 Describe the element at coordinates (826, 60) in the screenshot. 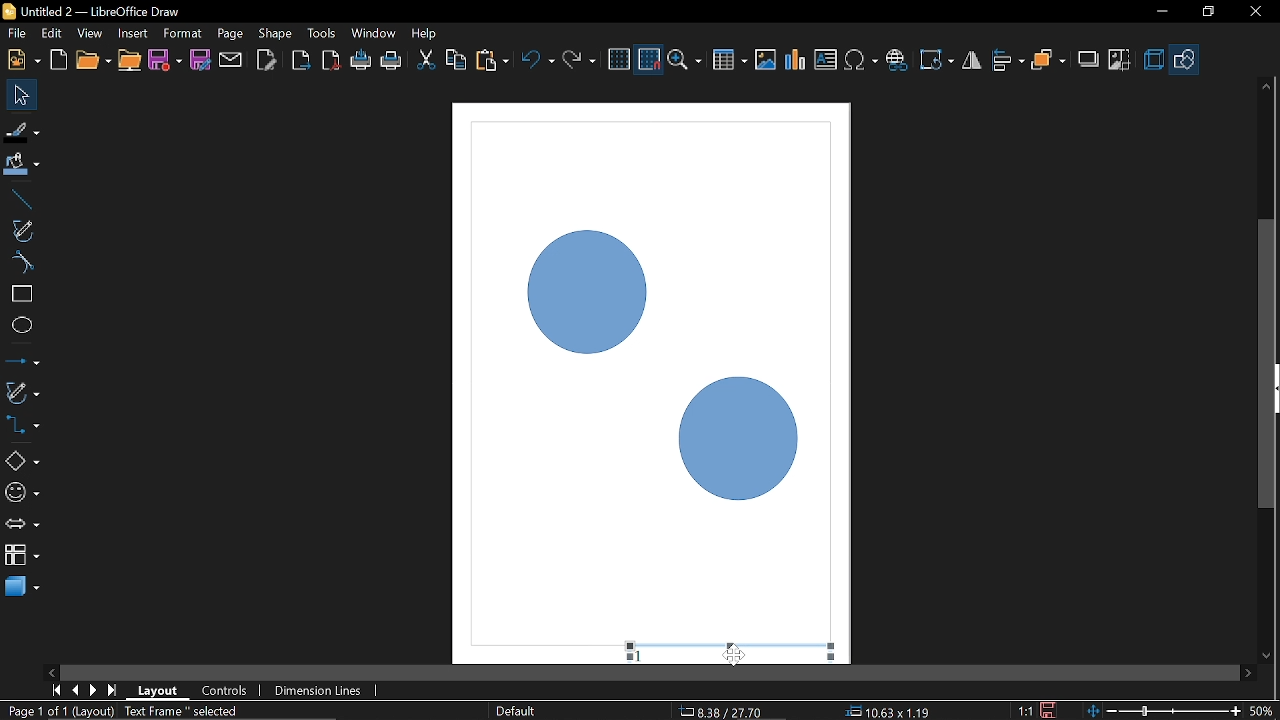

I see `Text` at that location.